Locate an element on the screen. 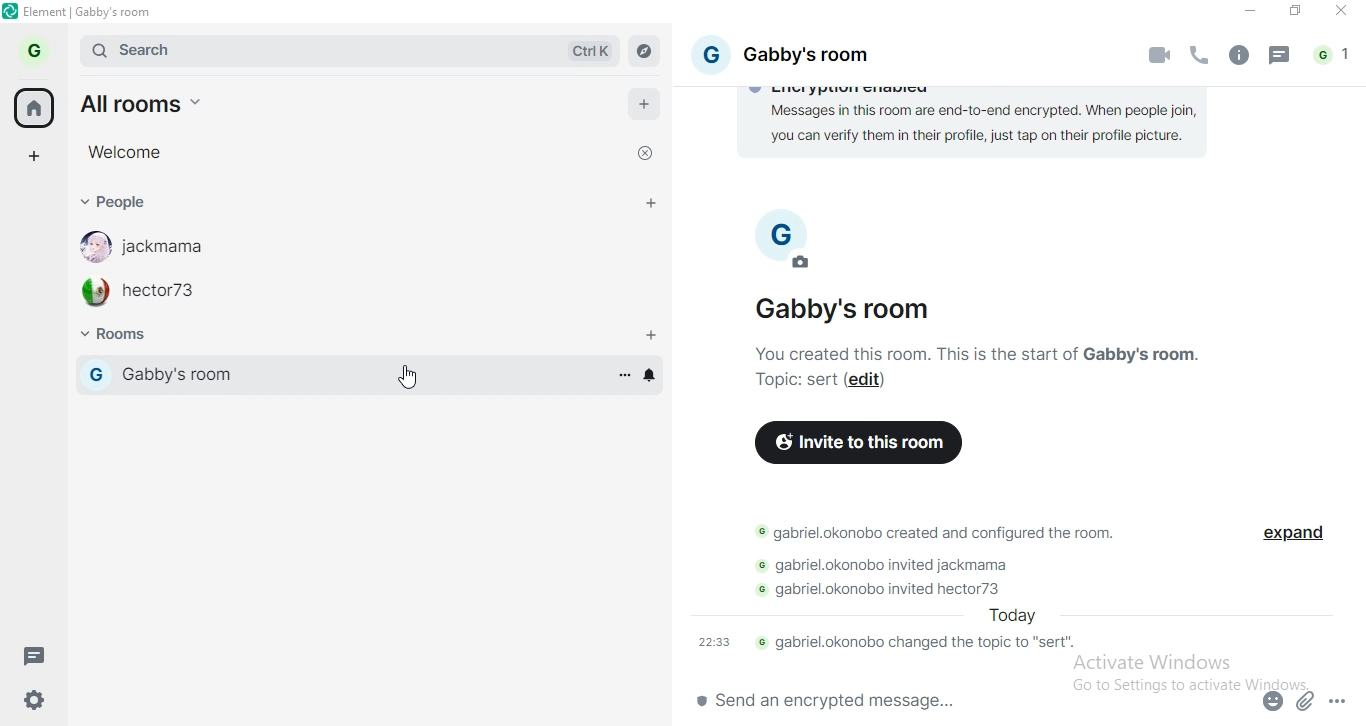 This screenshot has height=726, width=1366. text 2 is located at coordinates (994, 353).